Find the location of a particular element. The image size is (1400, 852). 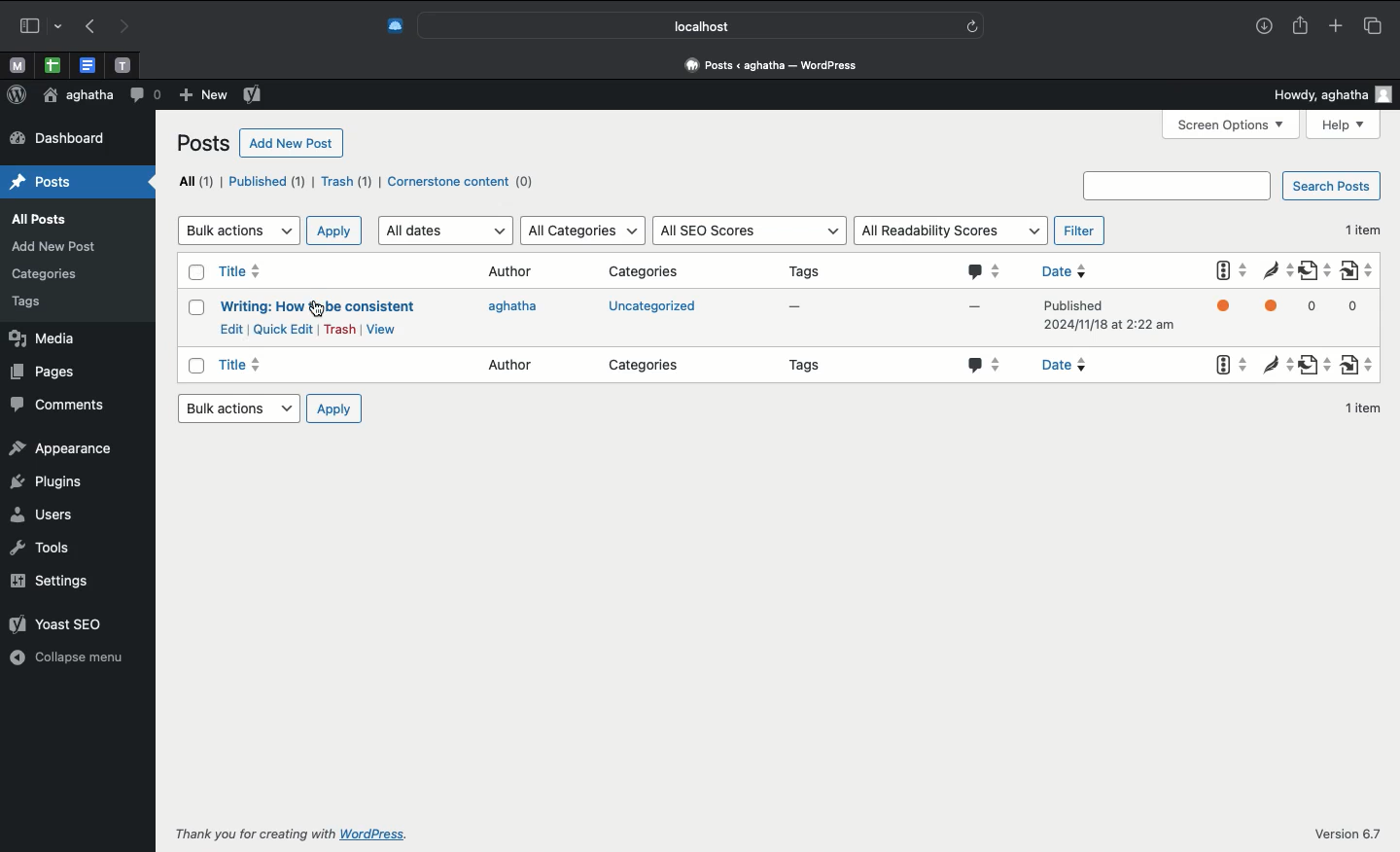

Add new tab is located at coordinates (1334, 25).